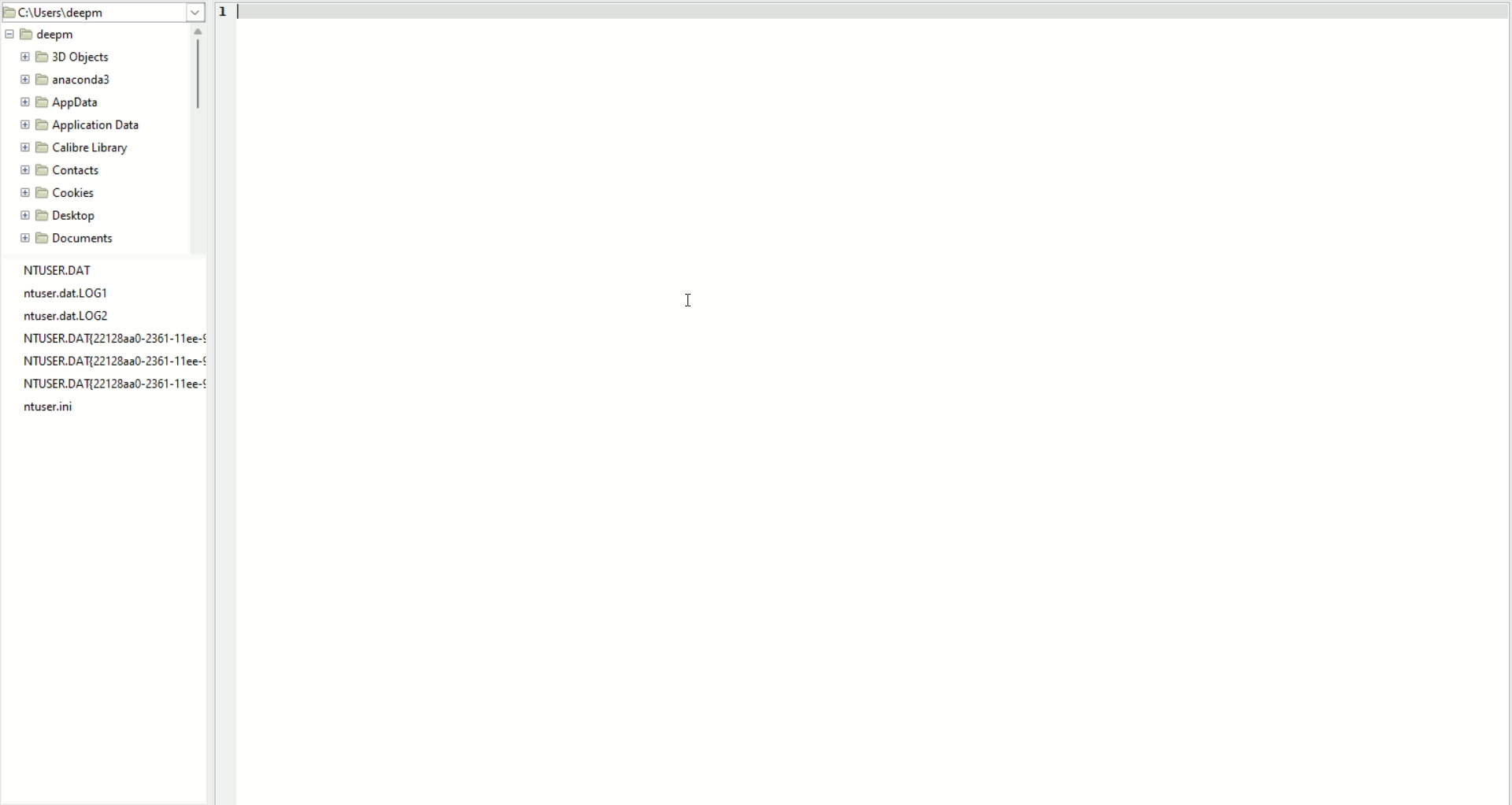 This screenshot has height=805, width=1512. What do you see at coordinates (876, 410) in the screenshot?
I see `editor` at bounding box center [876, 410].